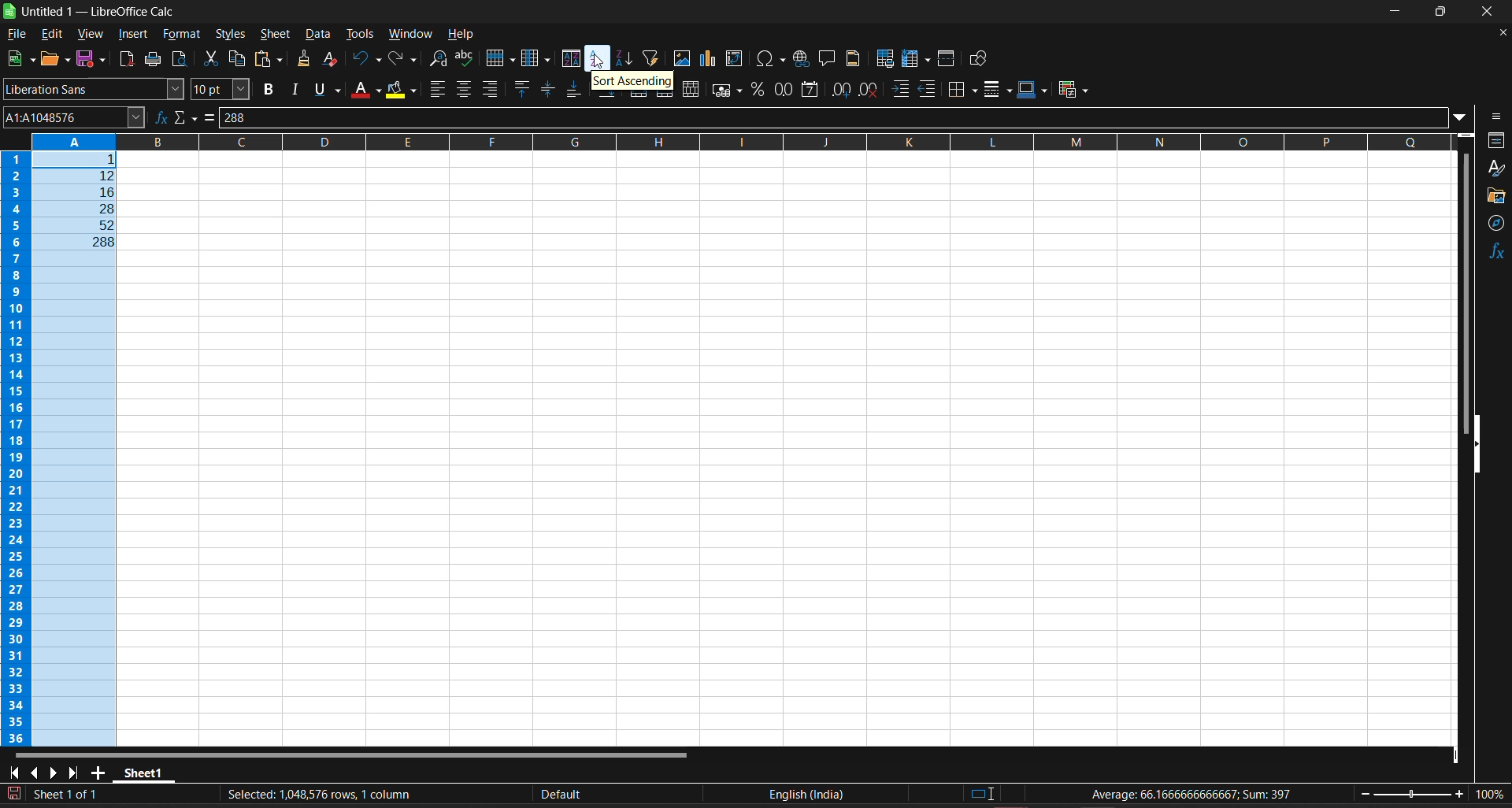  What do you see at coordinates (1497, 224) in the screenshot?
I see `navigator` at bounding box center [1497, 224].